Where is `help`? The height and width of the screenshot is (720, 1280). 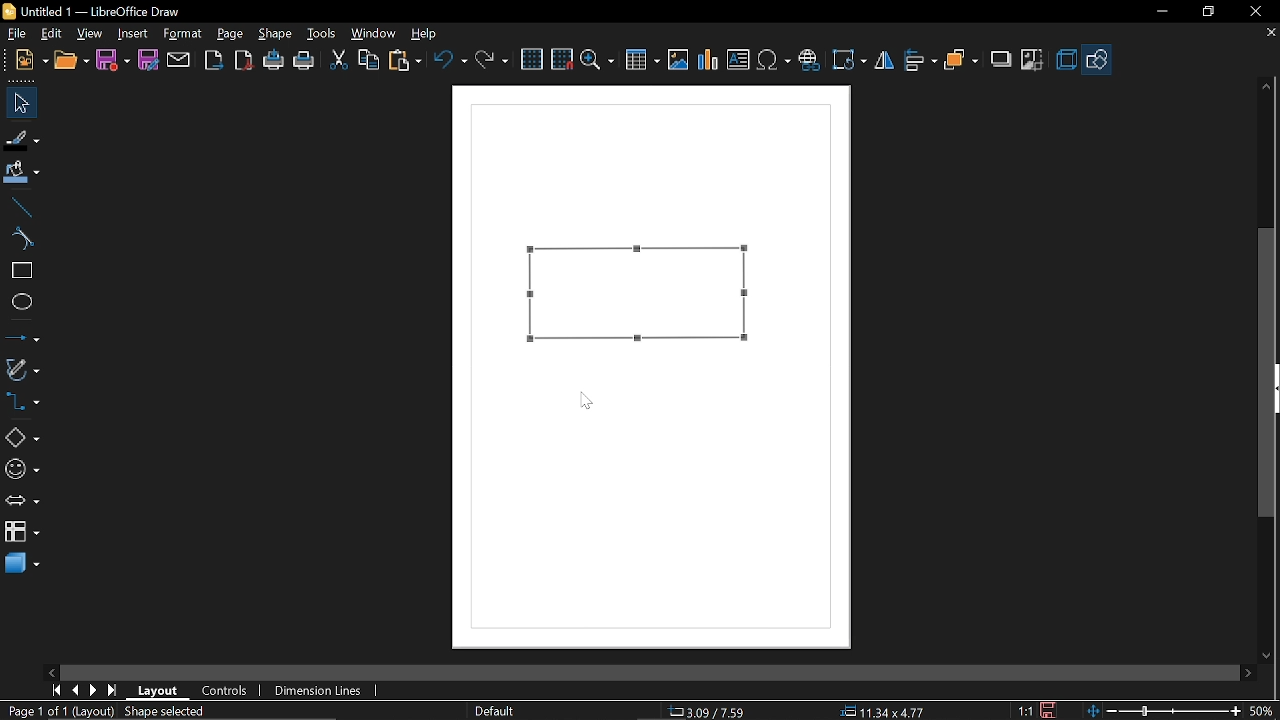 help is located at coordinates (424, 33).